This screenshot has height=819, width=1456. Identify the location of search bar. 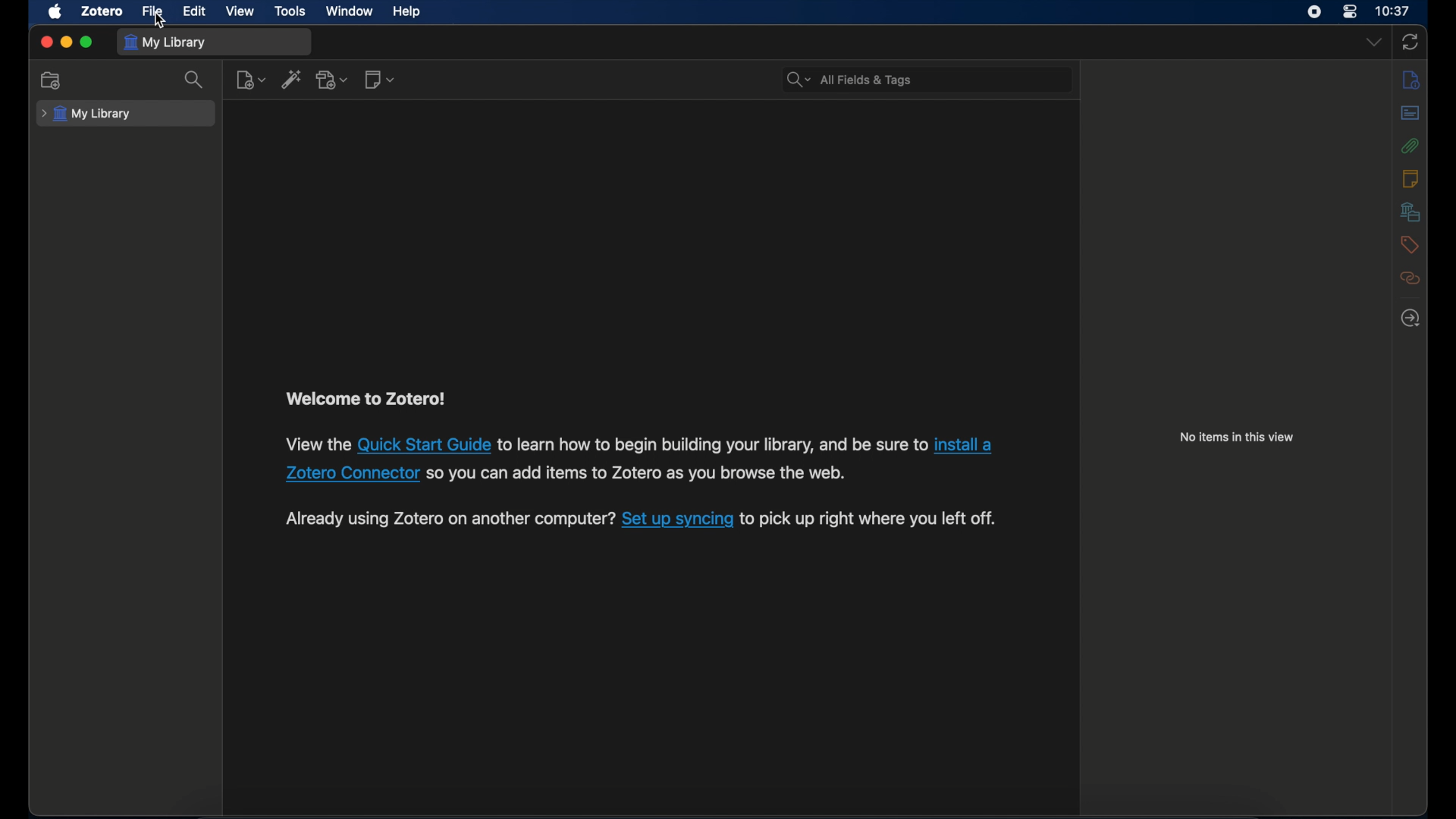
(945, 80).